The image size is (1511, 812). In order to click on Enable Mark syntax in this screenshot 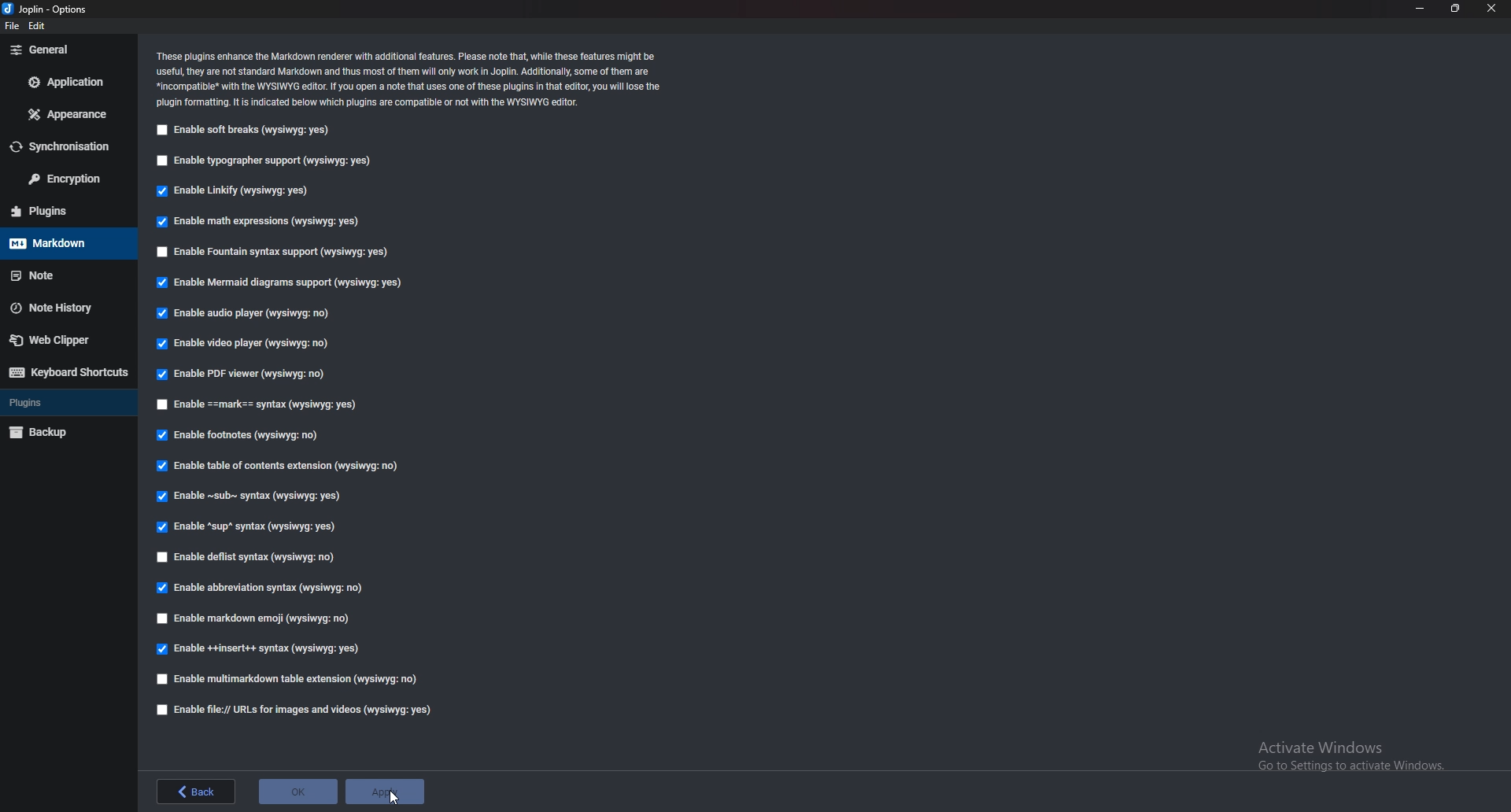, I will do `click(260, 404)`.